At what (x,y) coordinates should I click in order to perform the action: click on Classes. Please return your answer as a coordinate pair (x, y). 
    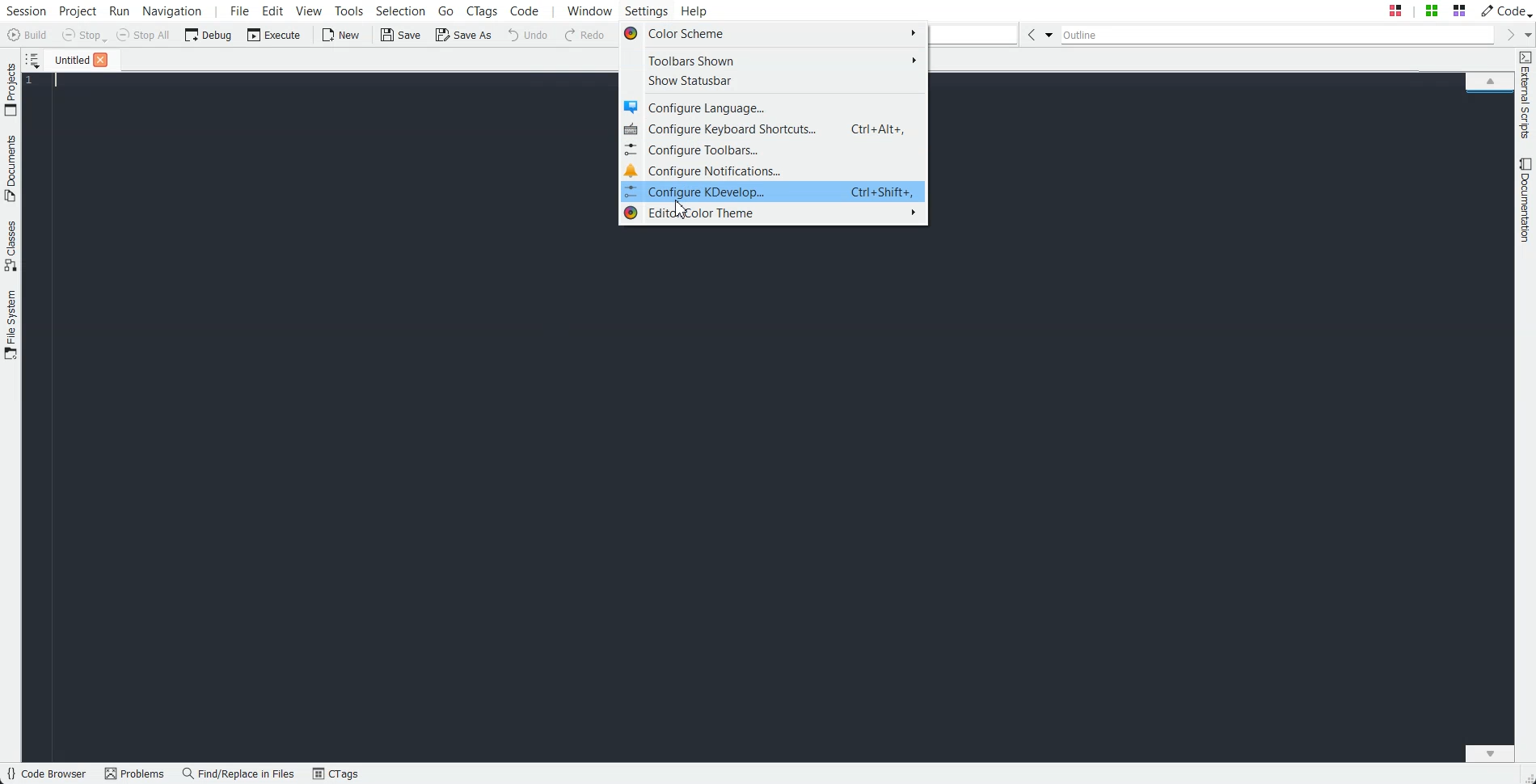
    Looking at the image, I should click on (11, 246).